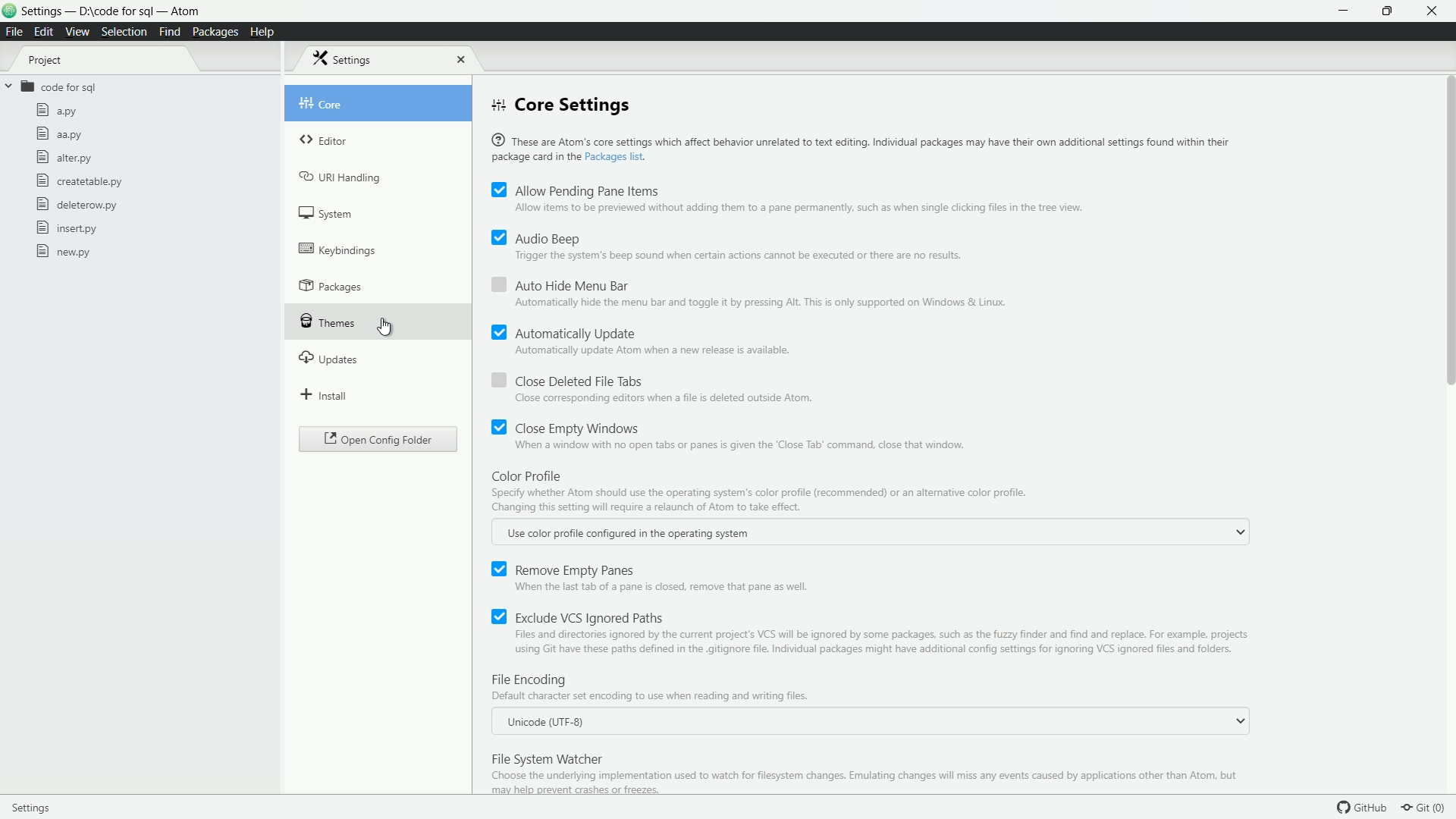  I want to click on edit menu, so click(44, 32).